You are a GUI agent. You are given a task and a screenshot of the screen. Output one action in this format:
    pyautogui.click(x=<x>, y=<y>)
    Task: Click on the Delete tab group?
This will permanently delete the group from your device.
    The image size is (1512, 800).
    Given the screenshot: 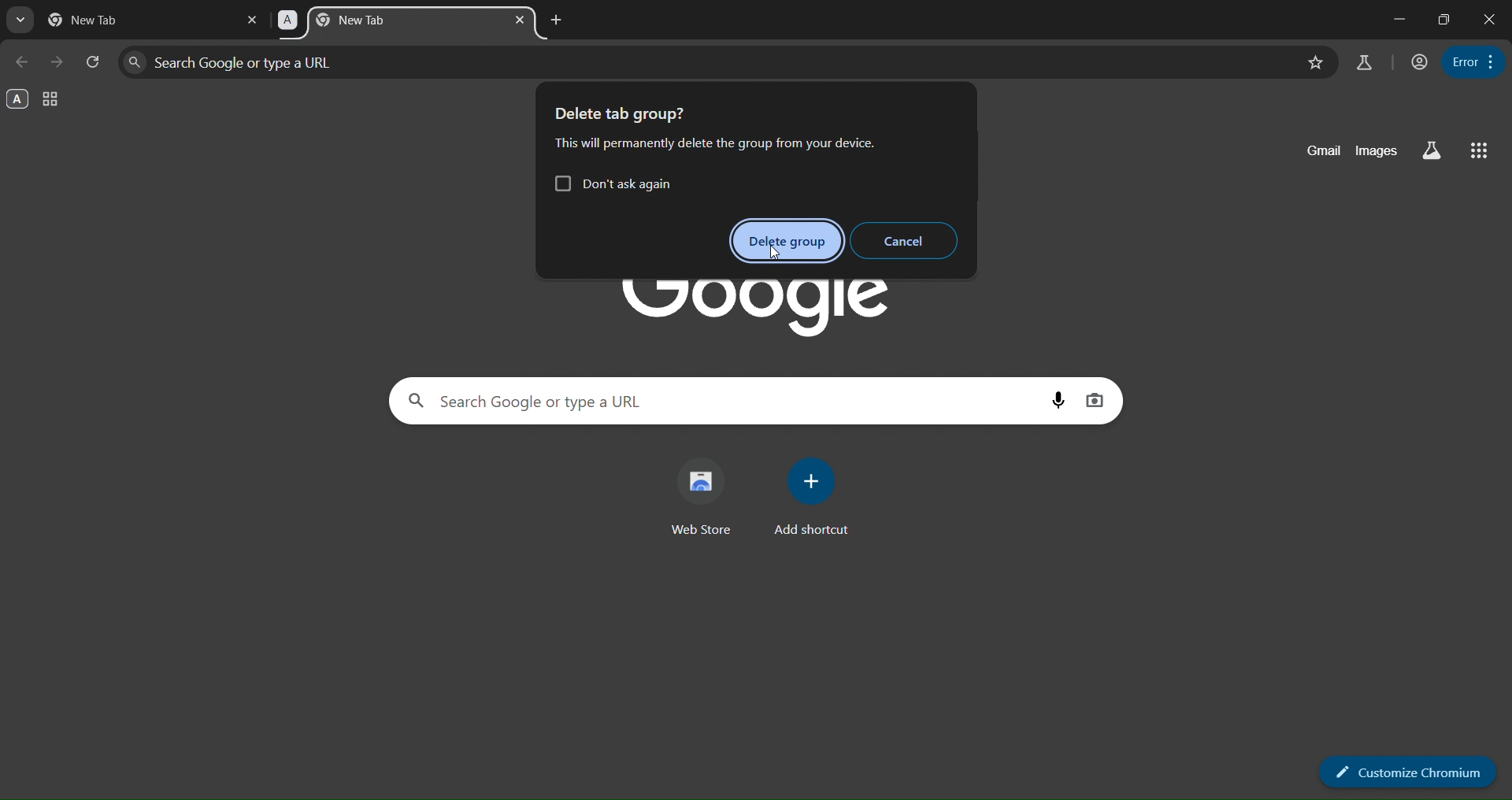 What is the action you would take?
    pyautogui.click(x=714, y=130)
    